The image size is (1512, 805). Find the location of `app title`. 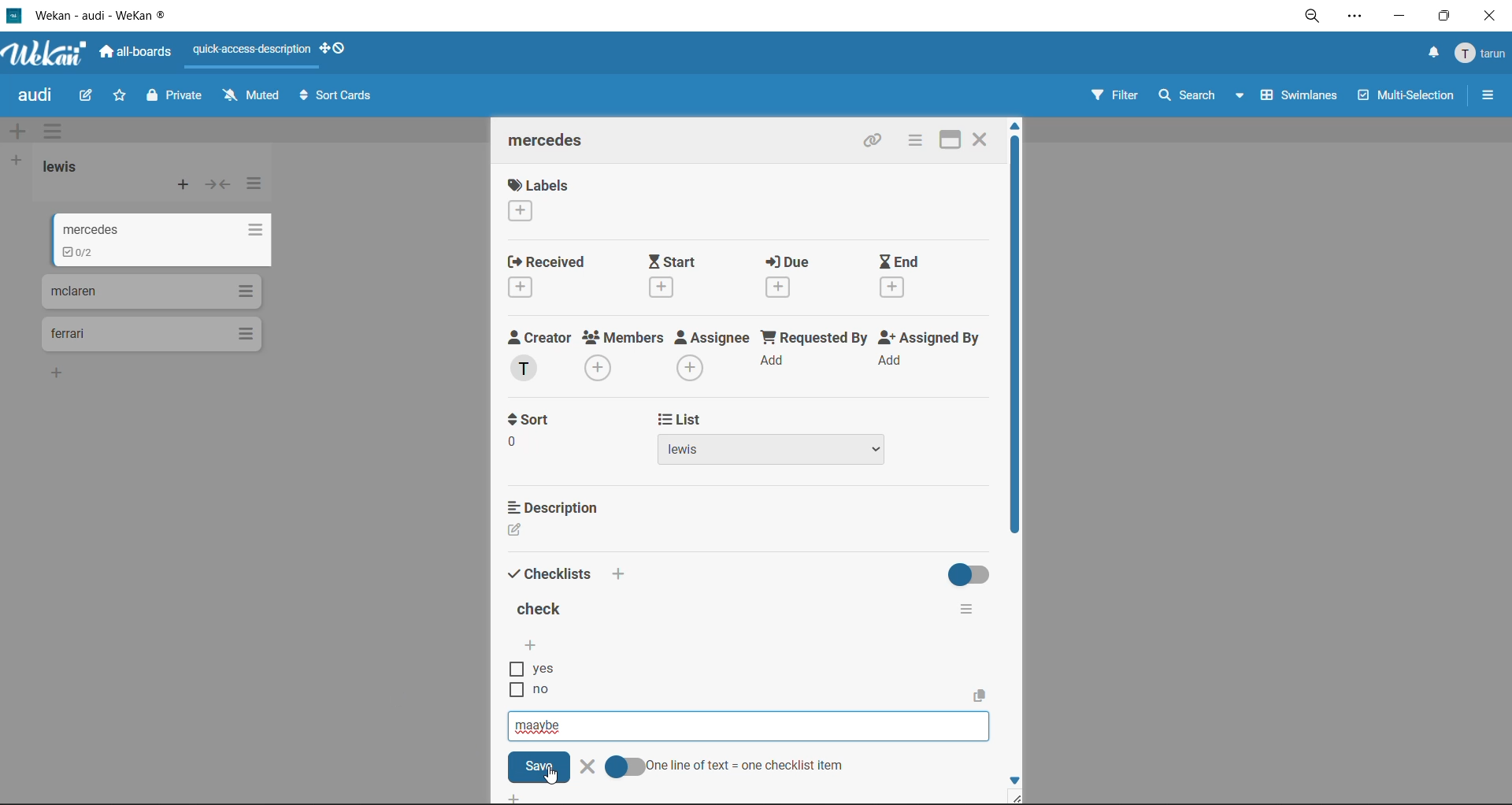

app title is located at coordinates (98, 17).